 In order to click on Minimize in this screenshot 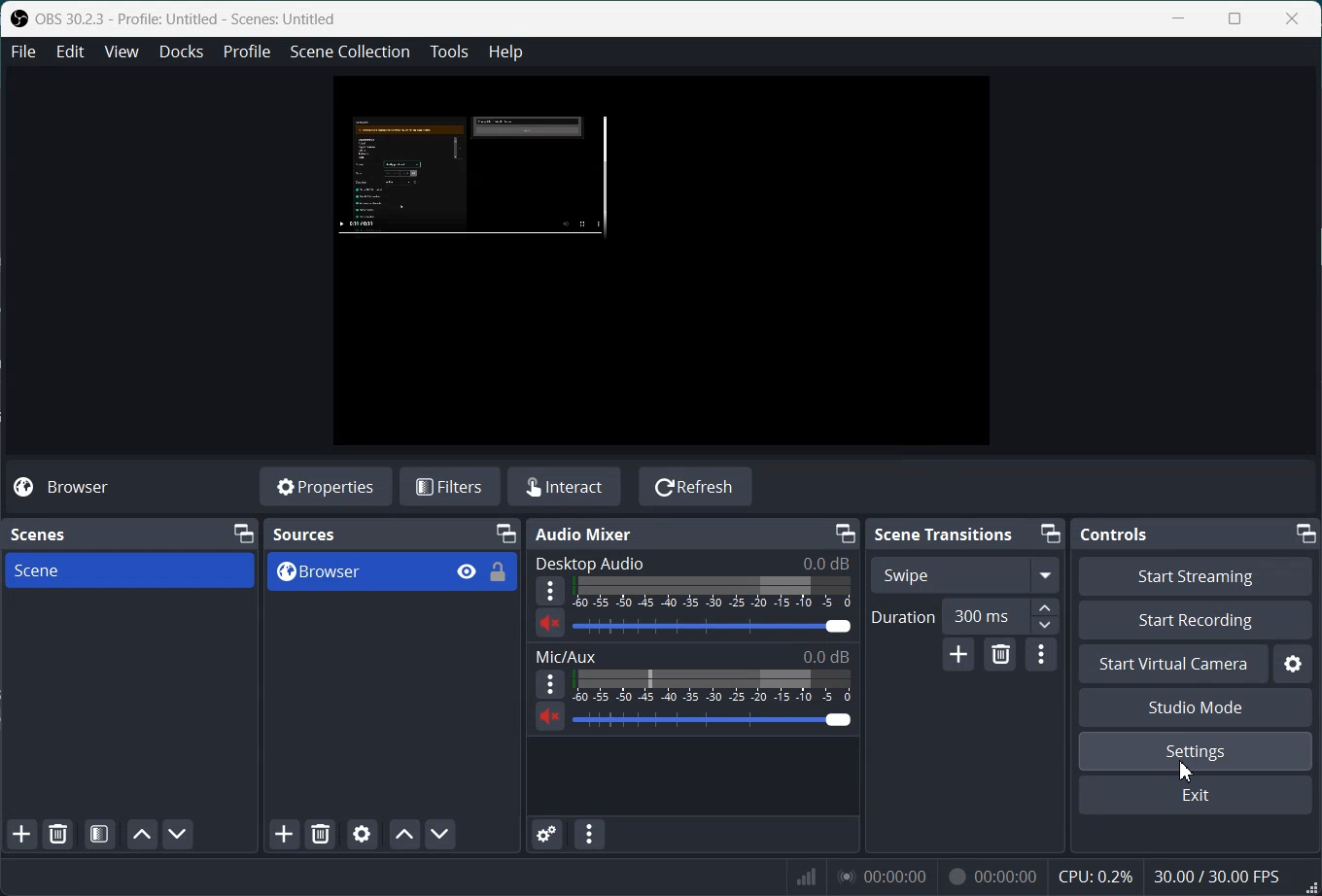, I will do `click(1051, 532)`.